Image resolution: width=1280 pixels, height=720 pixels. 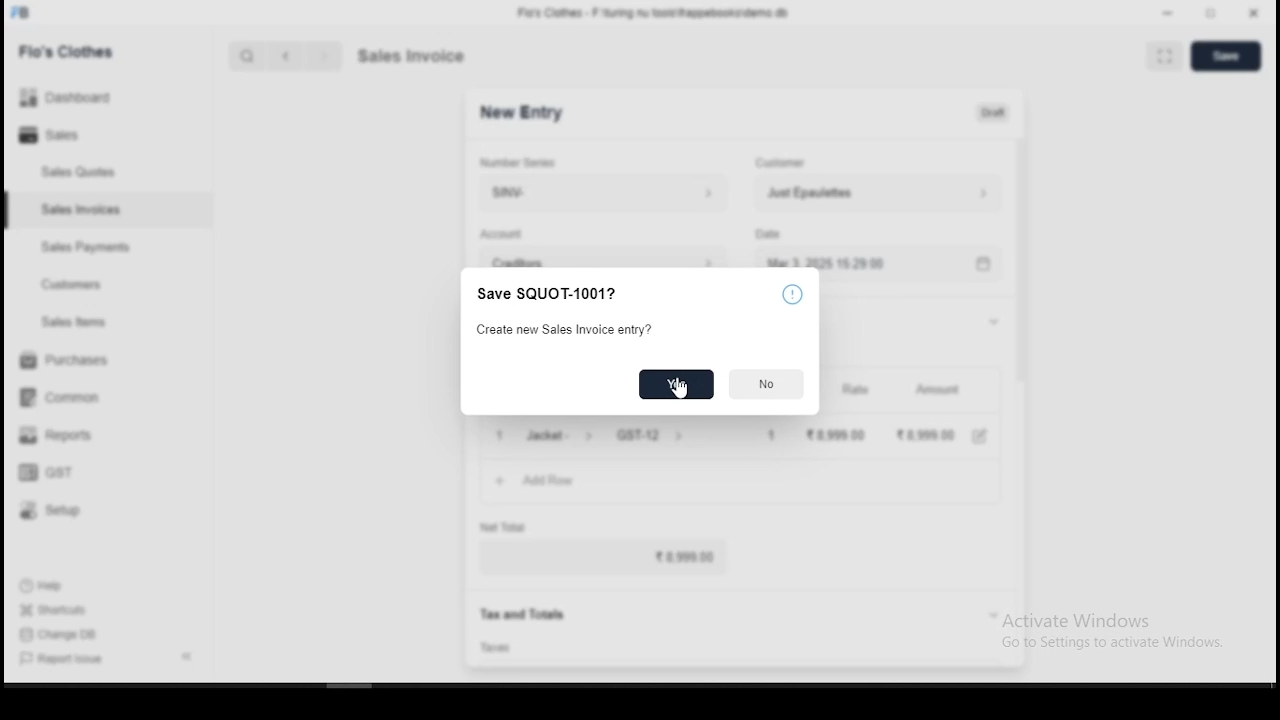 What do you see at coordinates (769, 231) in the screenshot?
I see `type` at bounding box center [769, 231].